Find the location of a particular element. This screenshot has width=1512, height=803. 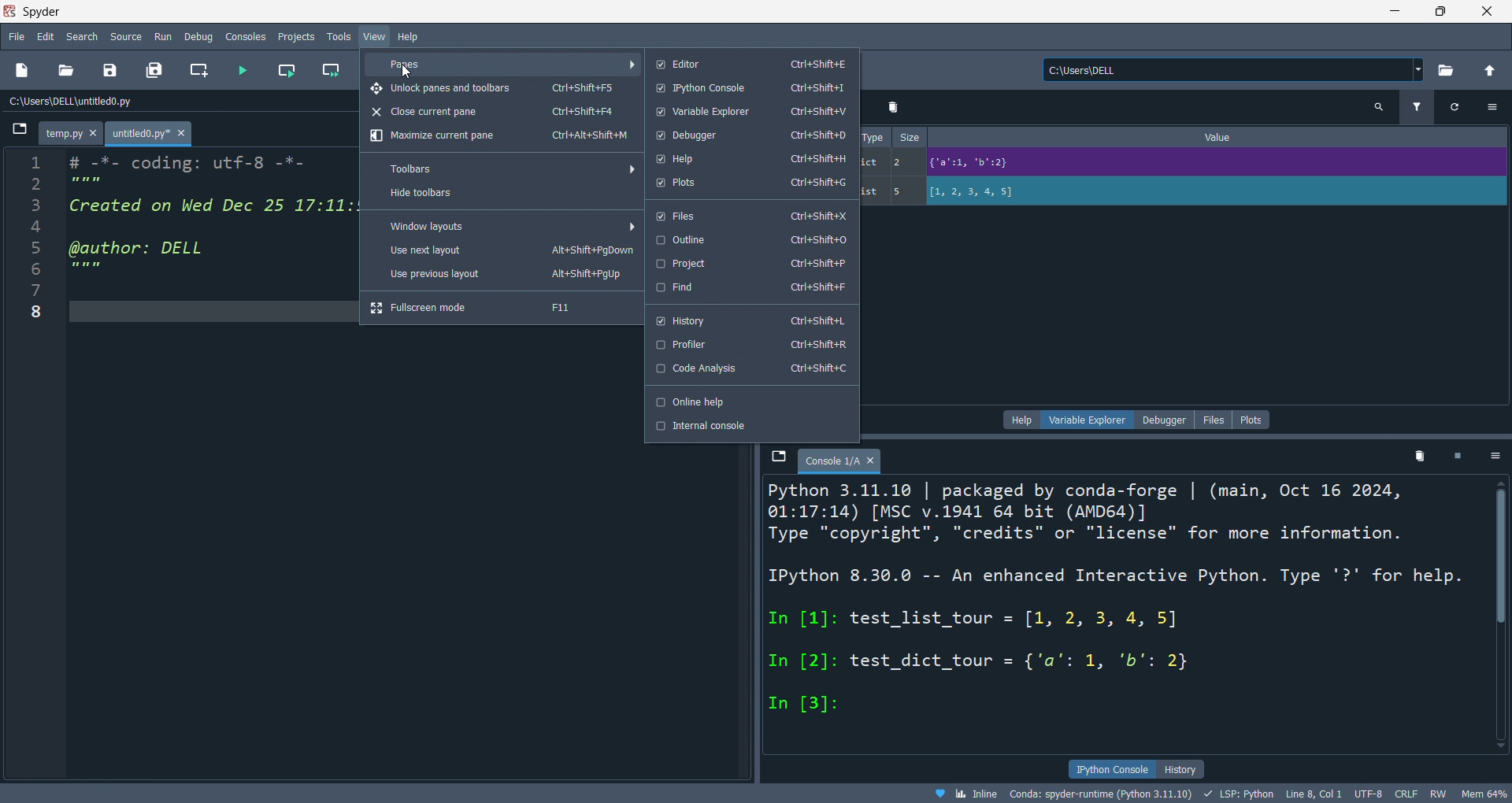

windows layout is located at coordinates (507, 225).